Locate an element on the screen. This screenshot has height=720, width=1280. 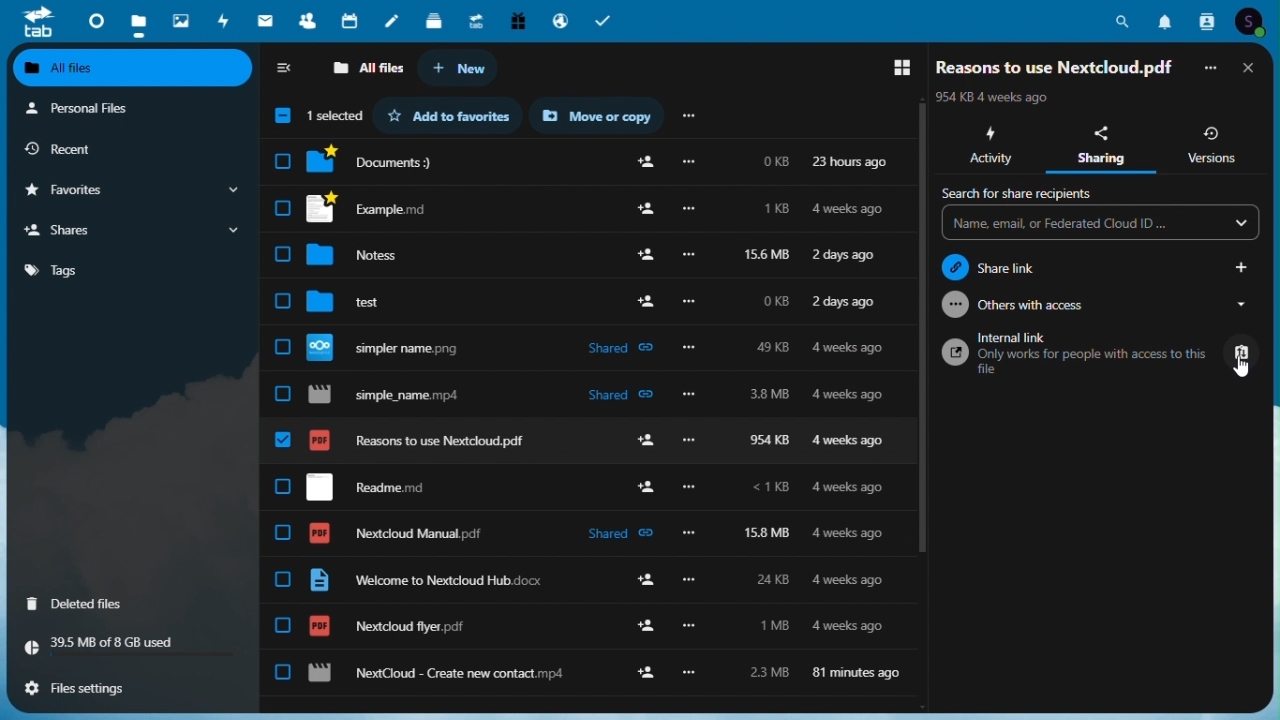
1mb is located at coordinates (776, 625).